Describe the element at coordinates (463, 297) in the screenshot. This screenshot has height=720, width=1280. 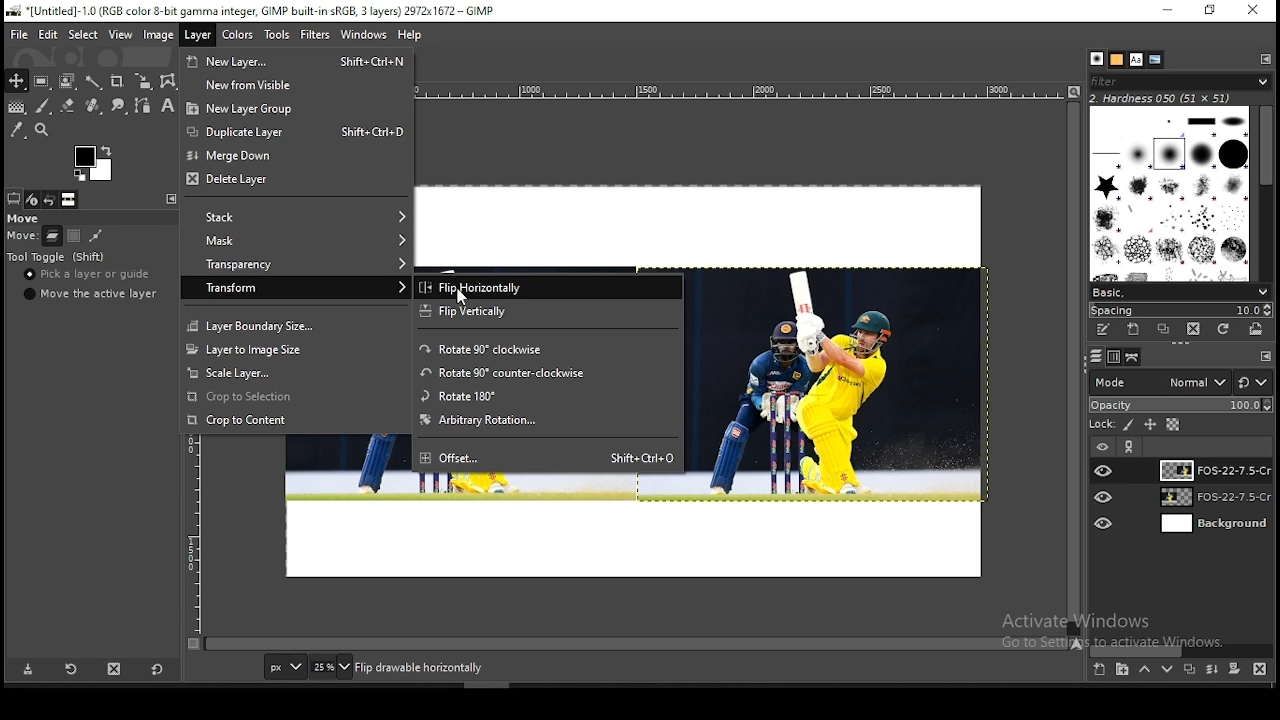
I see `cursor` at that location.